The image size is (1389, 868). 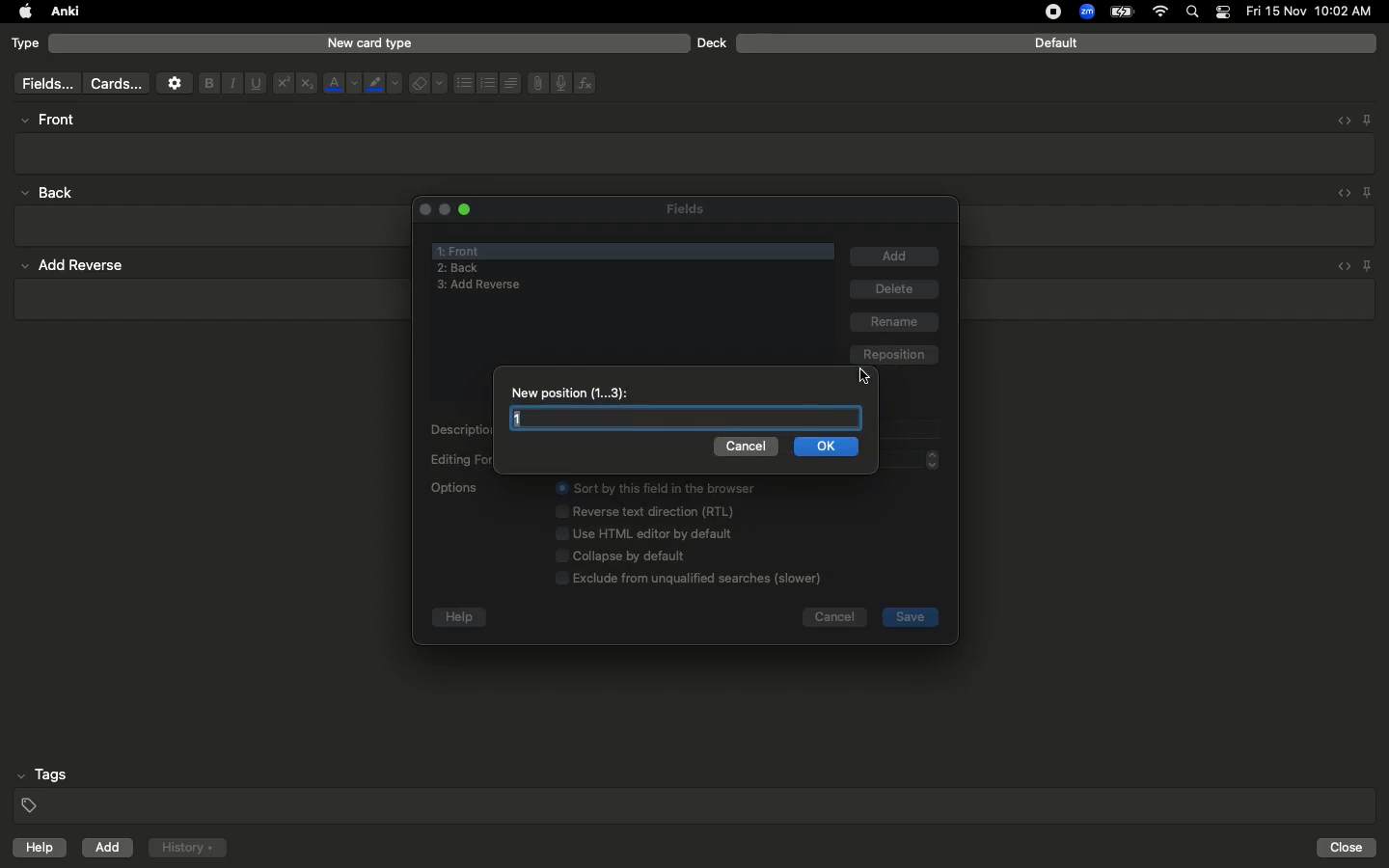 What do you see at coordinates (833, 619) in the screenshot?
I see `Cancel` at bounding box center [833, 619].